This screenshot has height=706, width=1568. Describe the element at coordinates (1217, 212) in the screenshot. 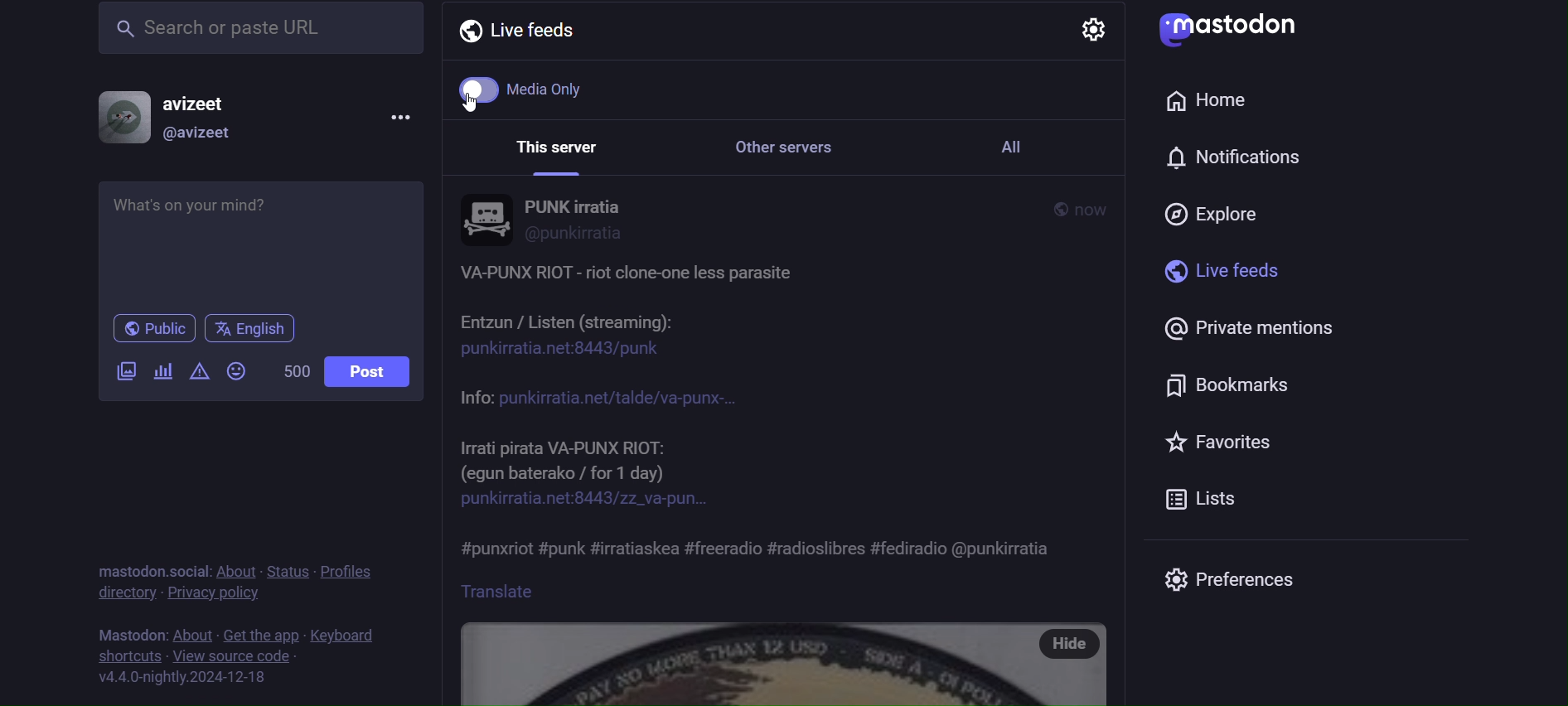

I see `explore` at that location.